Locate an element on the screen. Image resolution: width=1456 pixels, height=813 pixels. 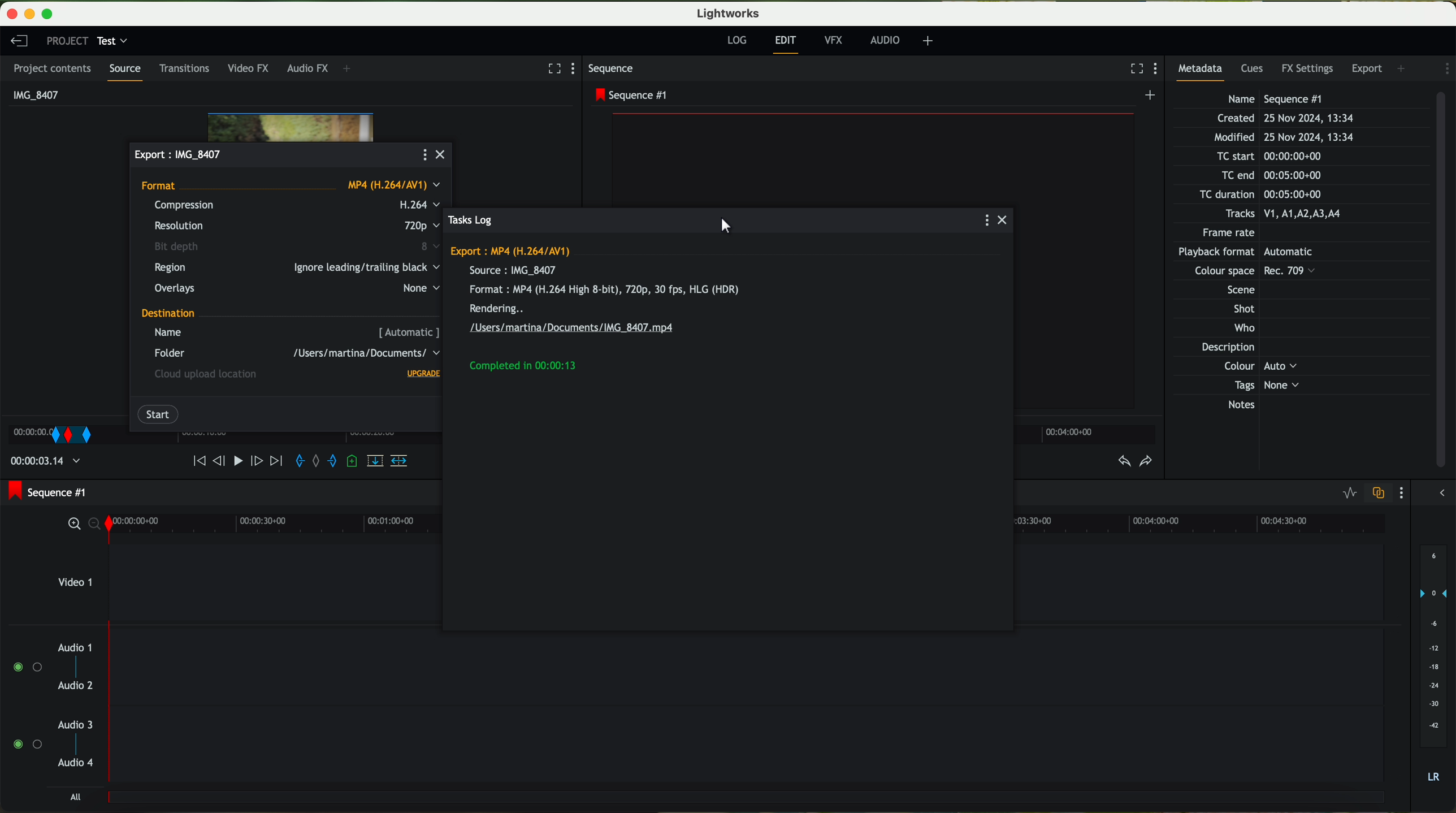
close popup is located at coordinates (443, 155).